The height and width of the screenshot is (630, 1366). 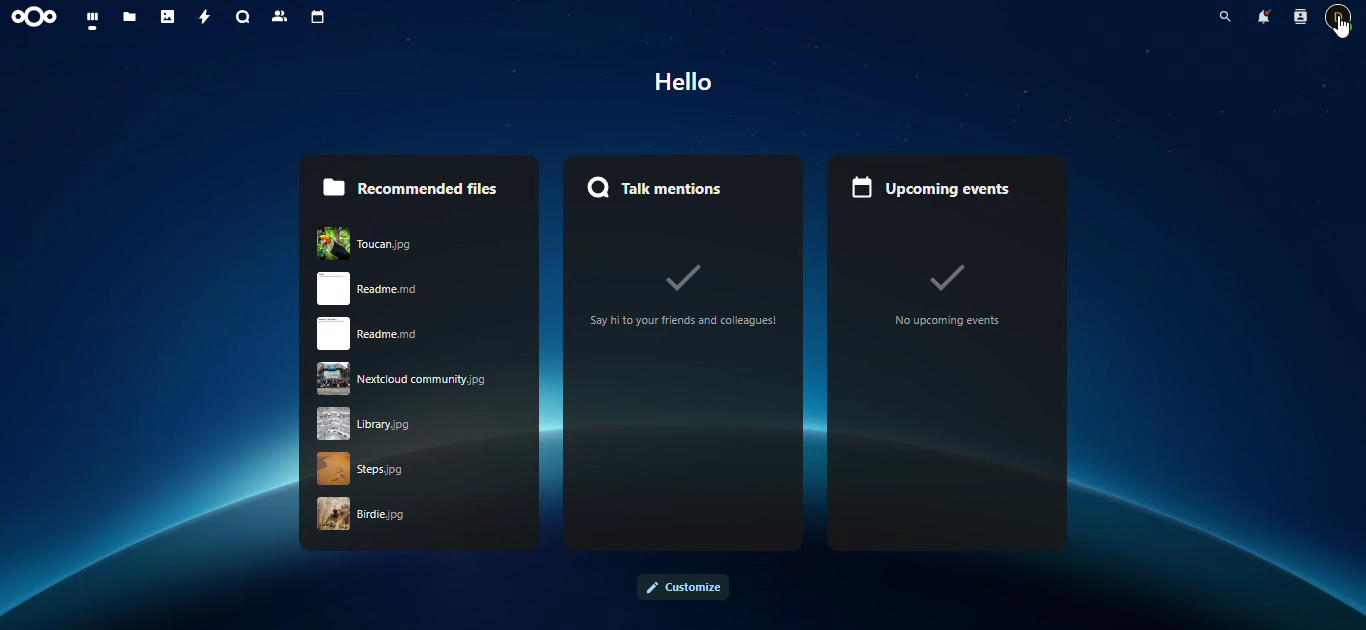 I want to click on search, so click(x=1221, y=17).